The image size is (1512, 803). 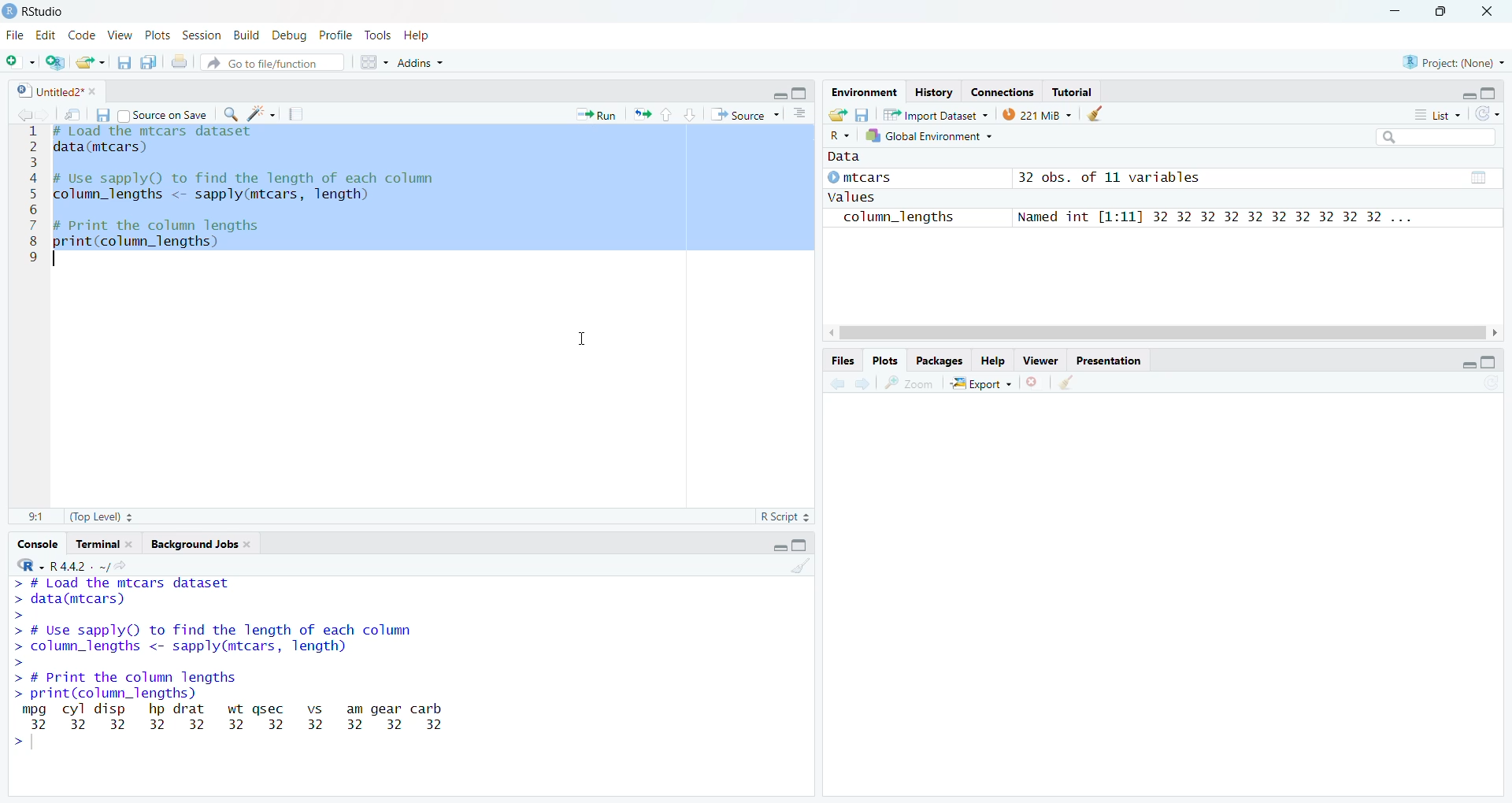 What do you see at coordinates (1217, 218) in the screenshot?
I see `Named int [1:11] 32 32 32 32 32 32 32 32 32 32 ...` at bounding box center [1217, 218].